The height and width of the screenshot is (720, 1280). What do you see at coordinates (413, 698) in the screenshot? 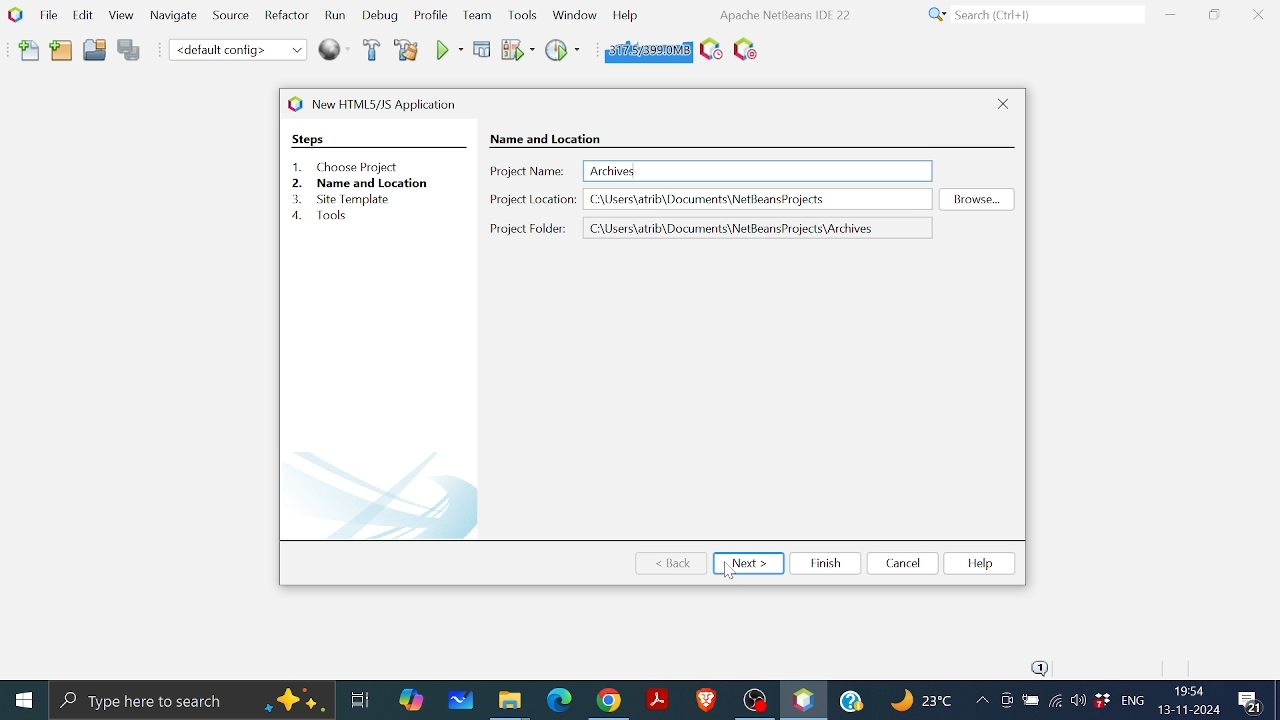
I see `Copilot` at bounding box center [413, 698].